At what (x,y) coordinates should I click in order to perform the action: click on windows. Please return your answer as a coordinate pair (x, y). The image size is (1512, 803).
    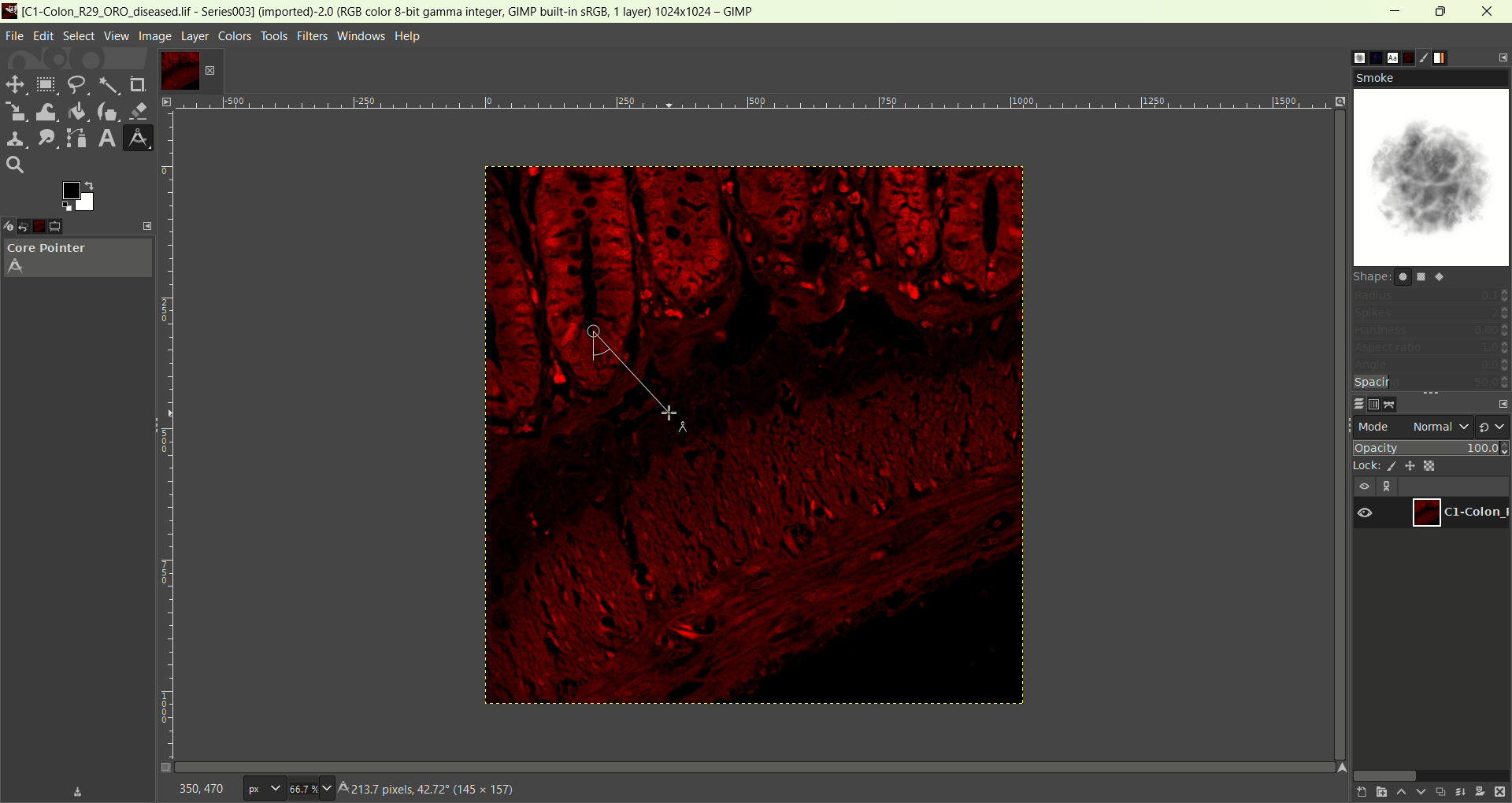
    Looking at the image, I should click on (363, 36).